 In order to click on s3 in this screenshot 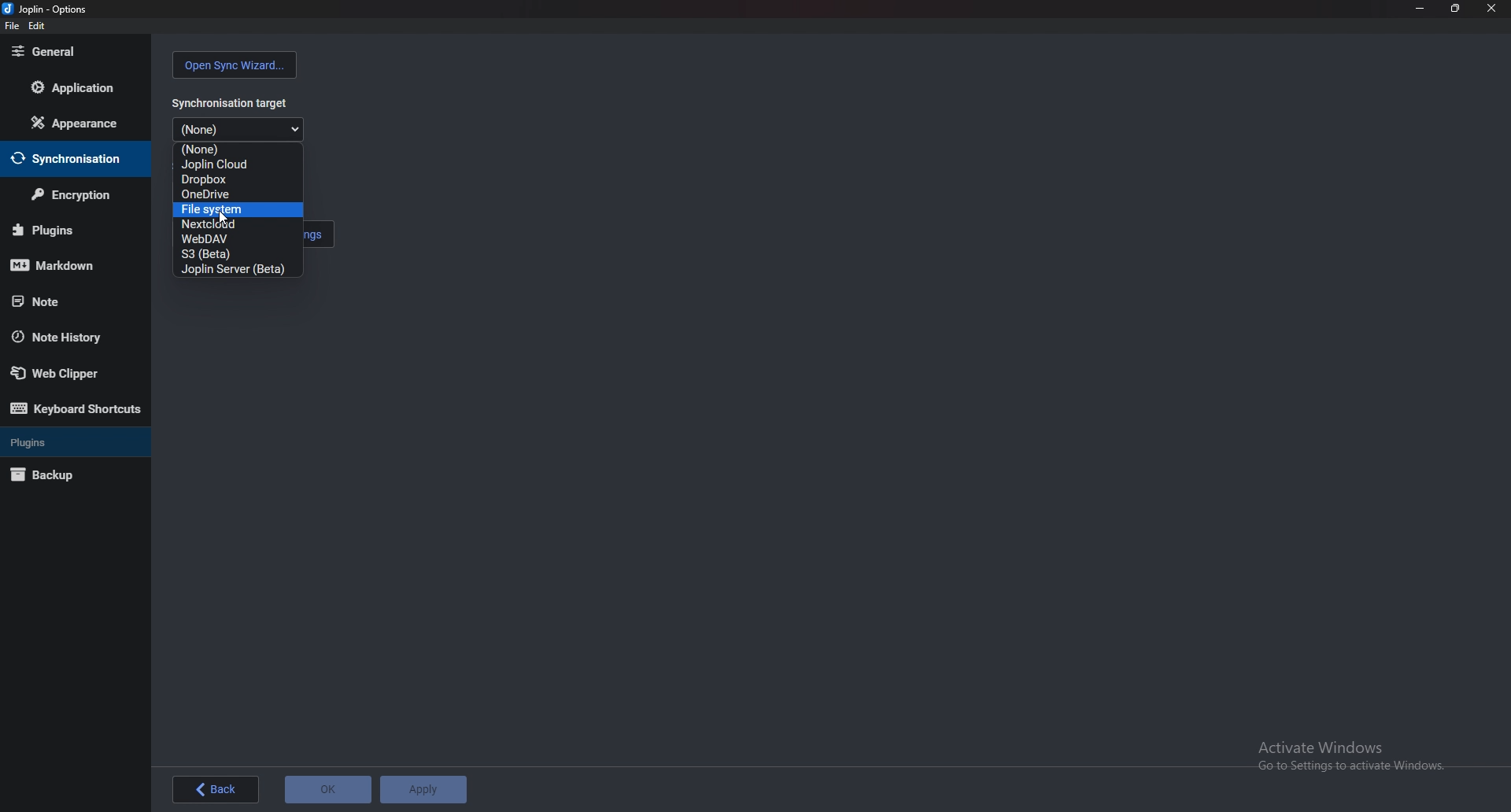, I will do `click(238, 254)`.